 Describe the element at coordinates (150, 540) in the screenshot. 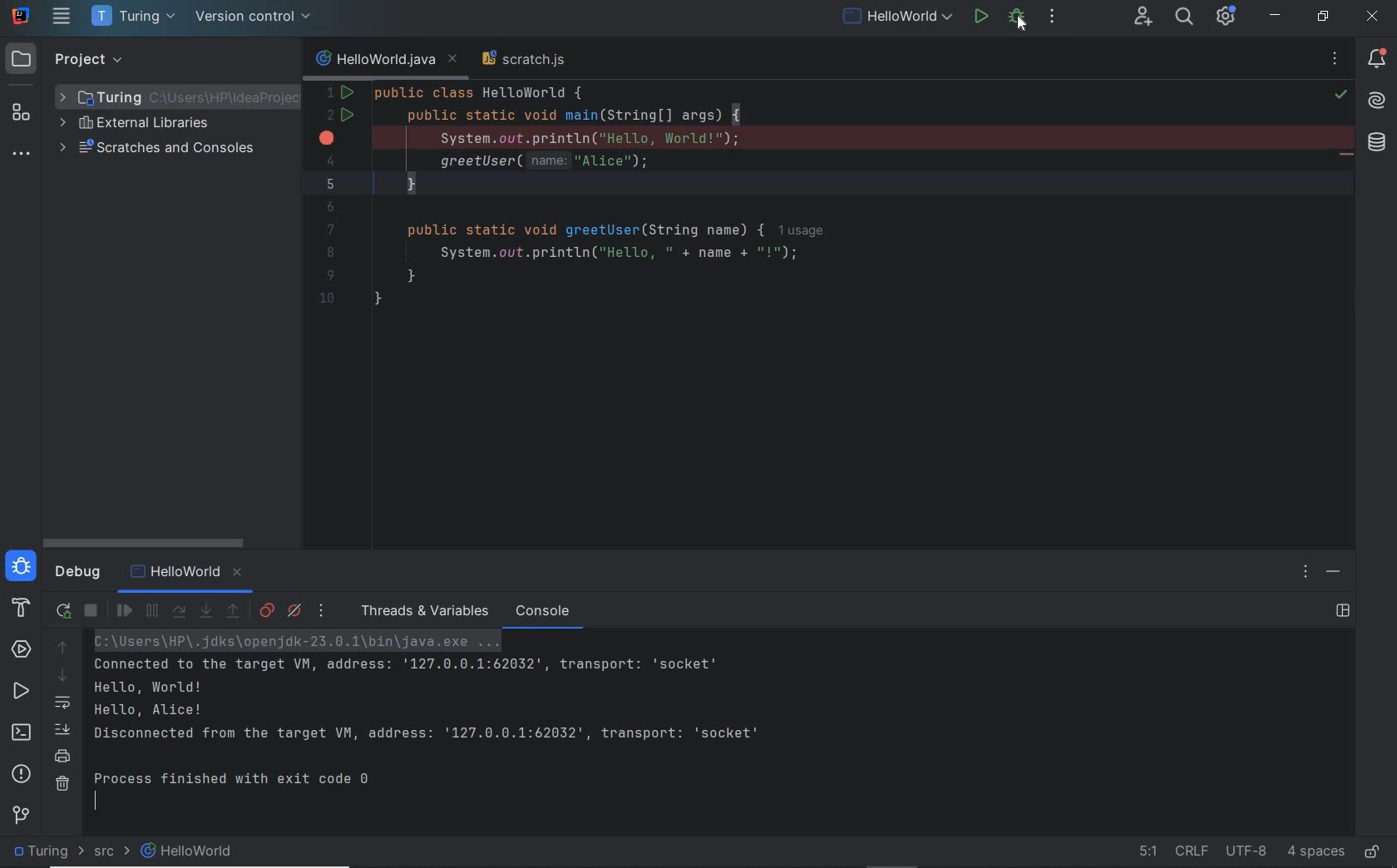

I see `scroll bar` at that location.